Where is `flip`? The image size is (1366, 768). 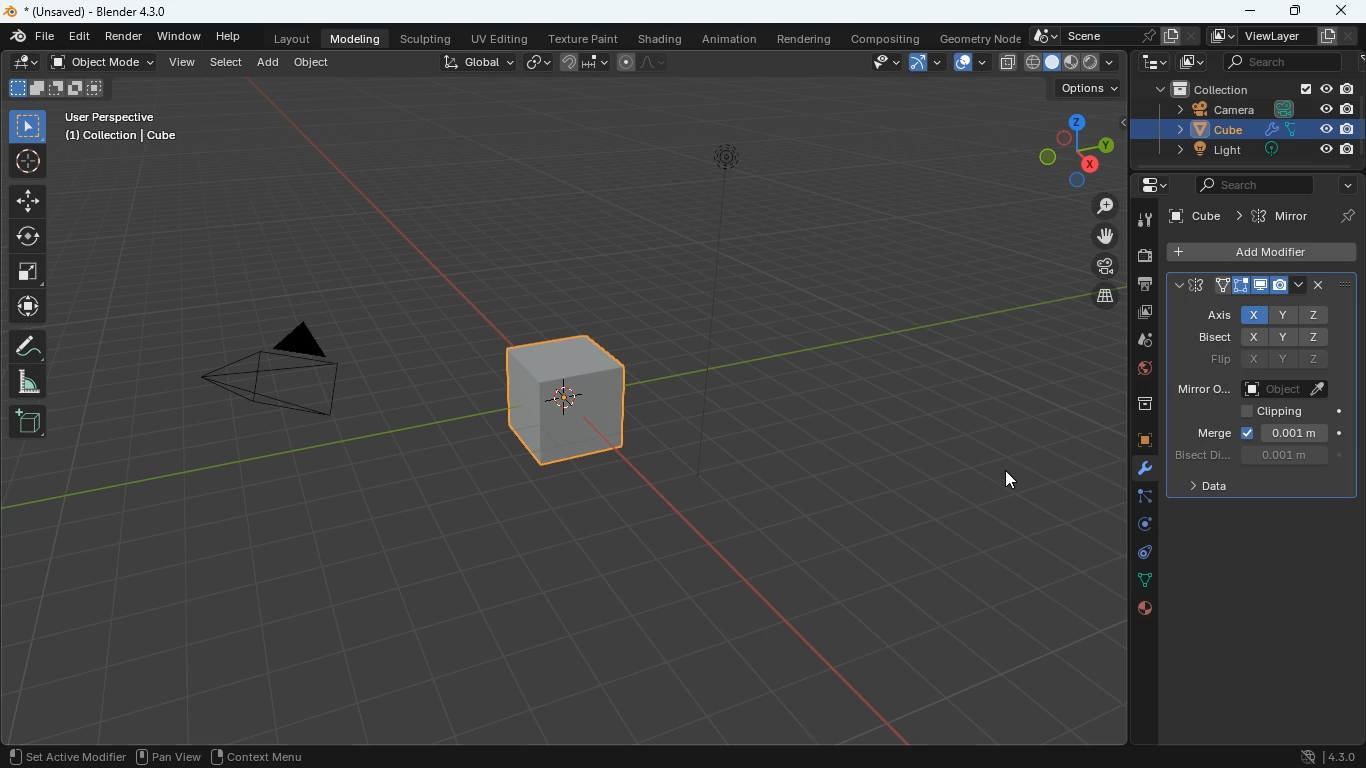 flip is located at coordinates (1209, 359).